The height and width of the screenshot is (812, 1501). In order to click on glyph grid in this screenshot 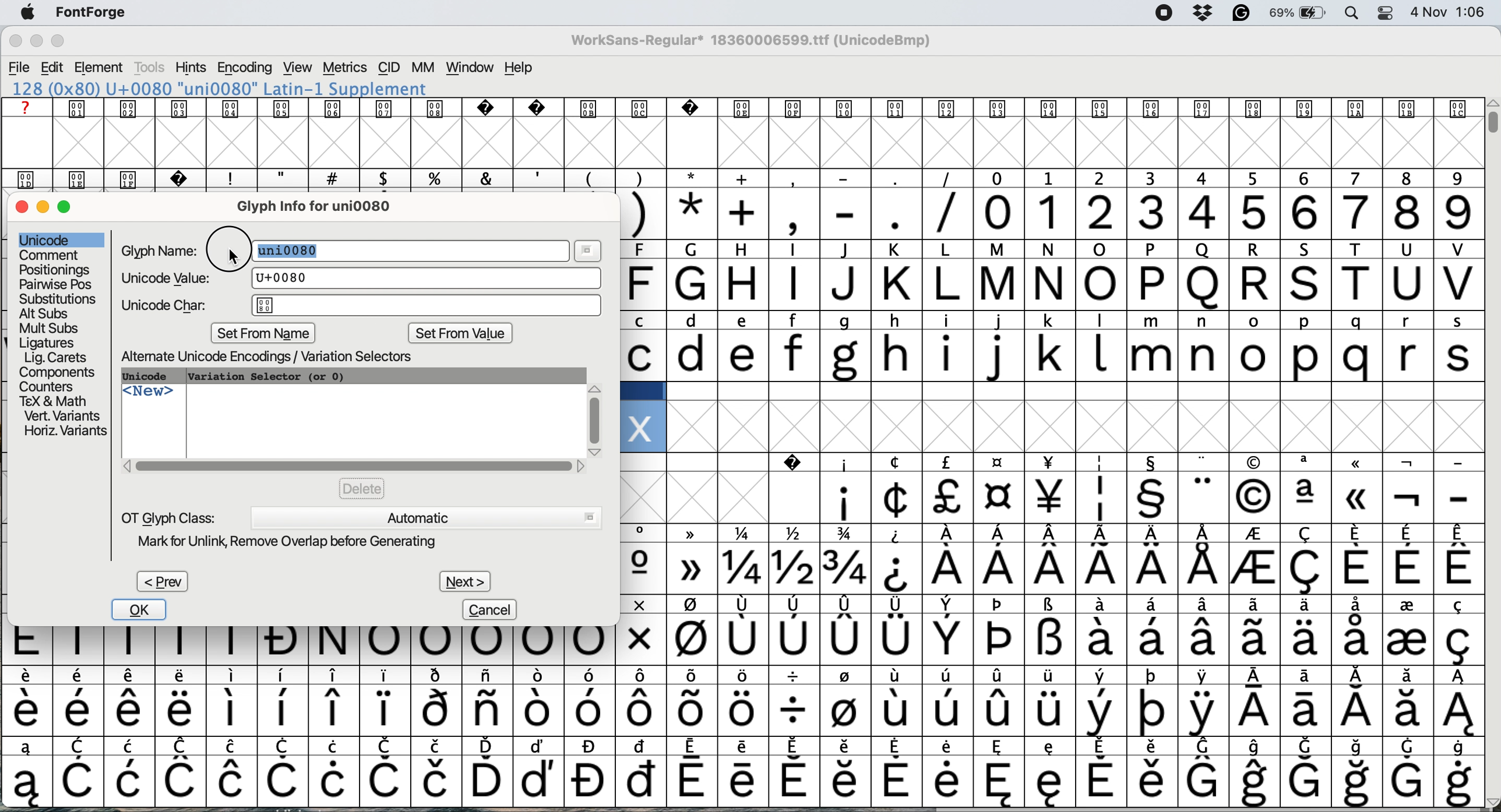, I will do `click(749, 144)`.